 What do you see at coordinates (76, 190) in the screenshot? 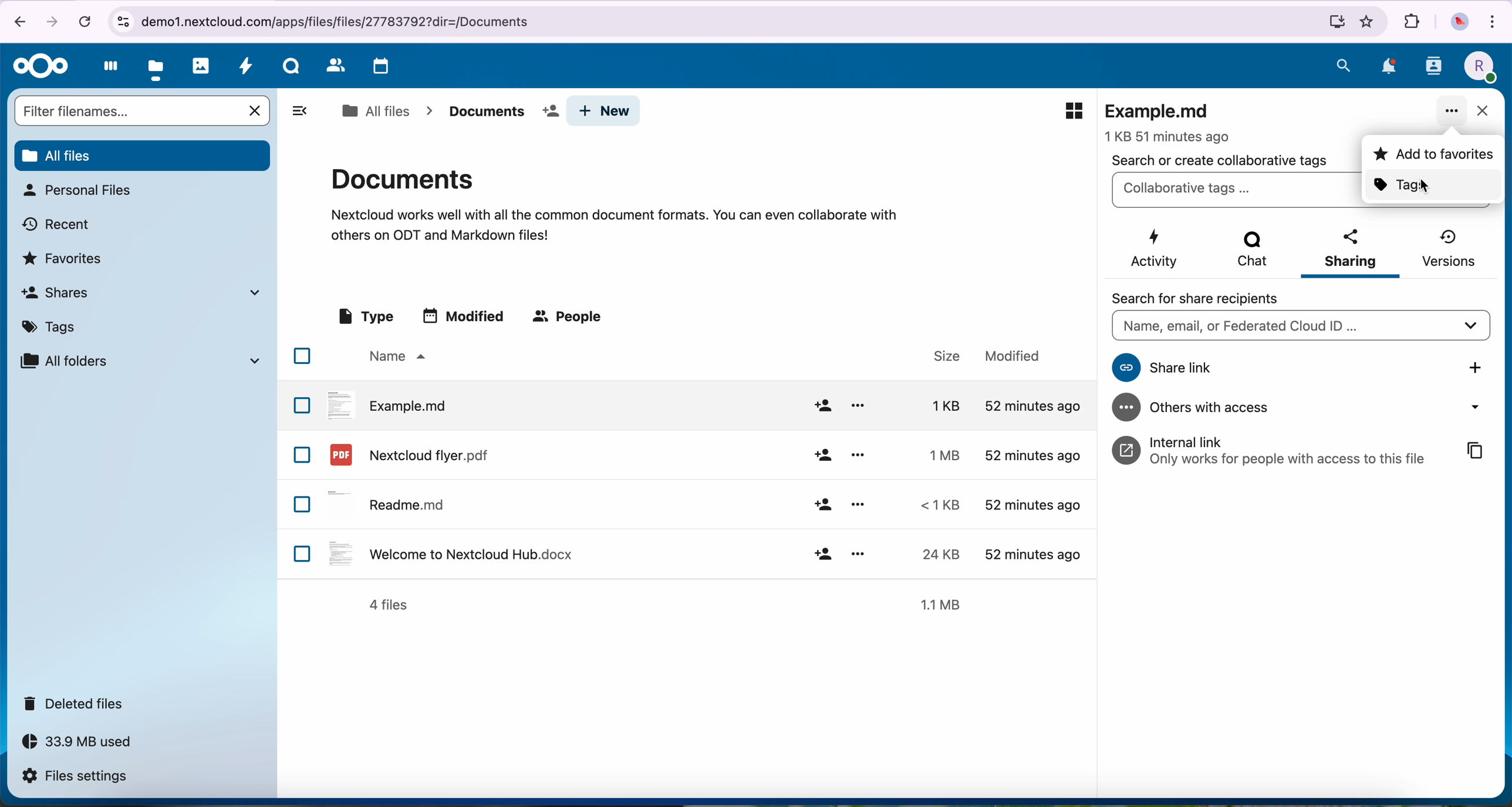
I see `personal files` at bounding box center [76, 190].